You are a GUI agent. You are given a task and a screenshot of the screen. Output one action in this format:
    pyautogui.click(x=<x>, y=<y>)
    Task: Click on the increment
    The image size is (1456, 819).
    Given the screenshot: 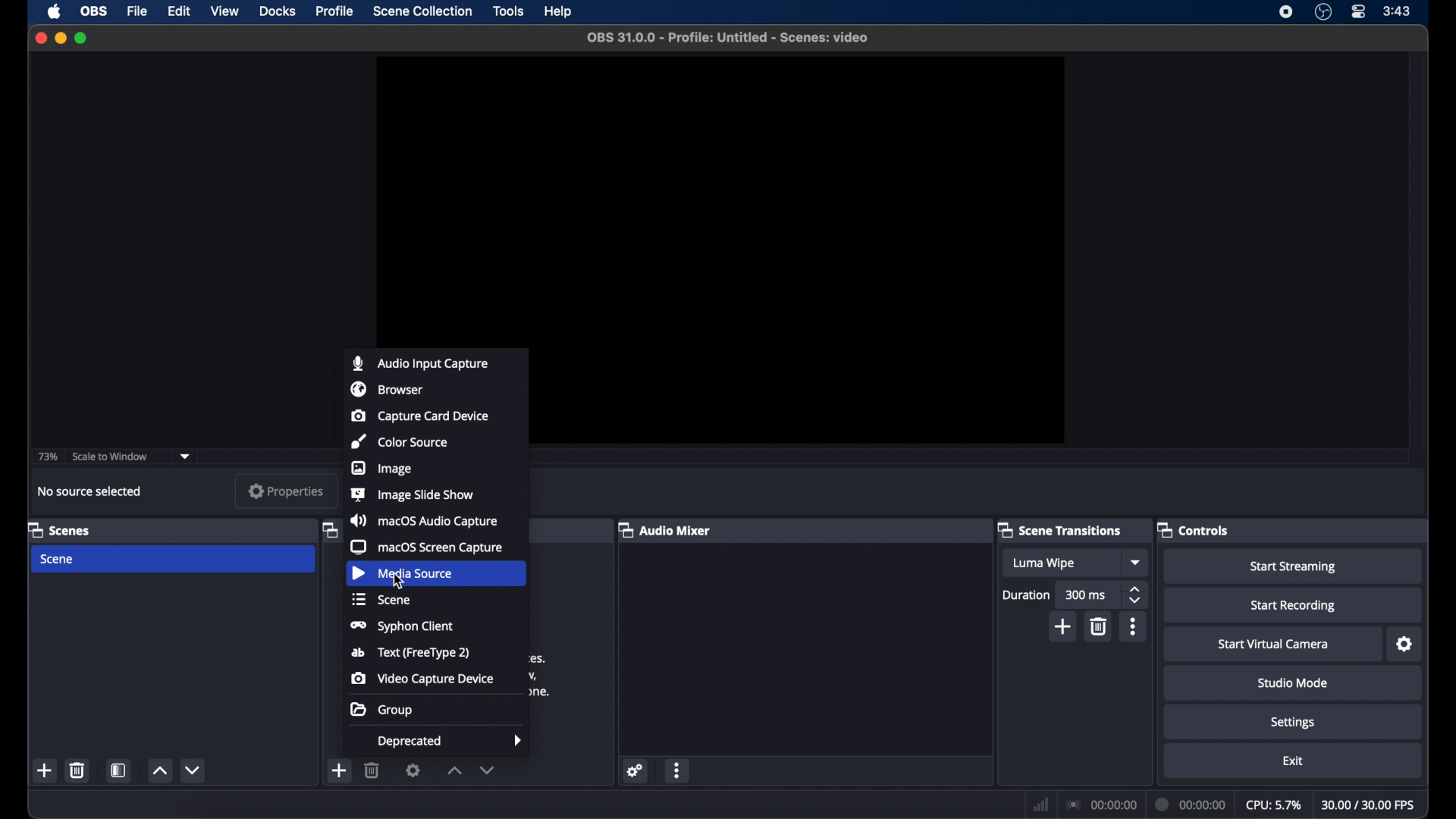 What is the action you would take?
    pyautogui.click(x=159, y=770)
    